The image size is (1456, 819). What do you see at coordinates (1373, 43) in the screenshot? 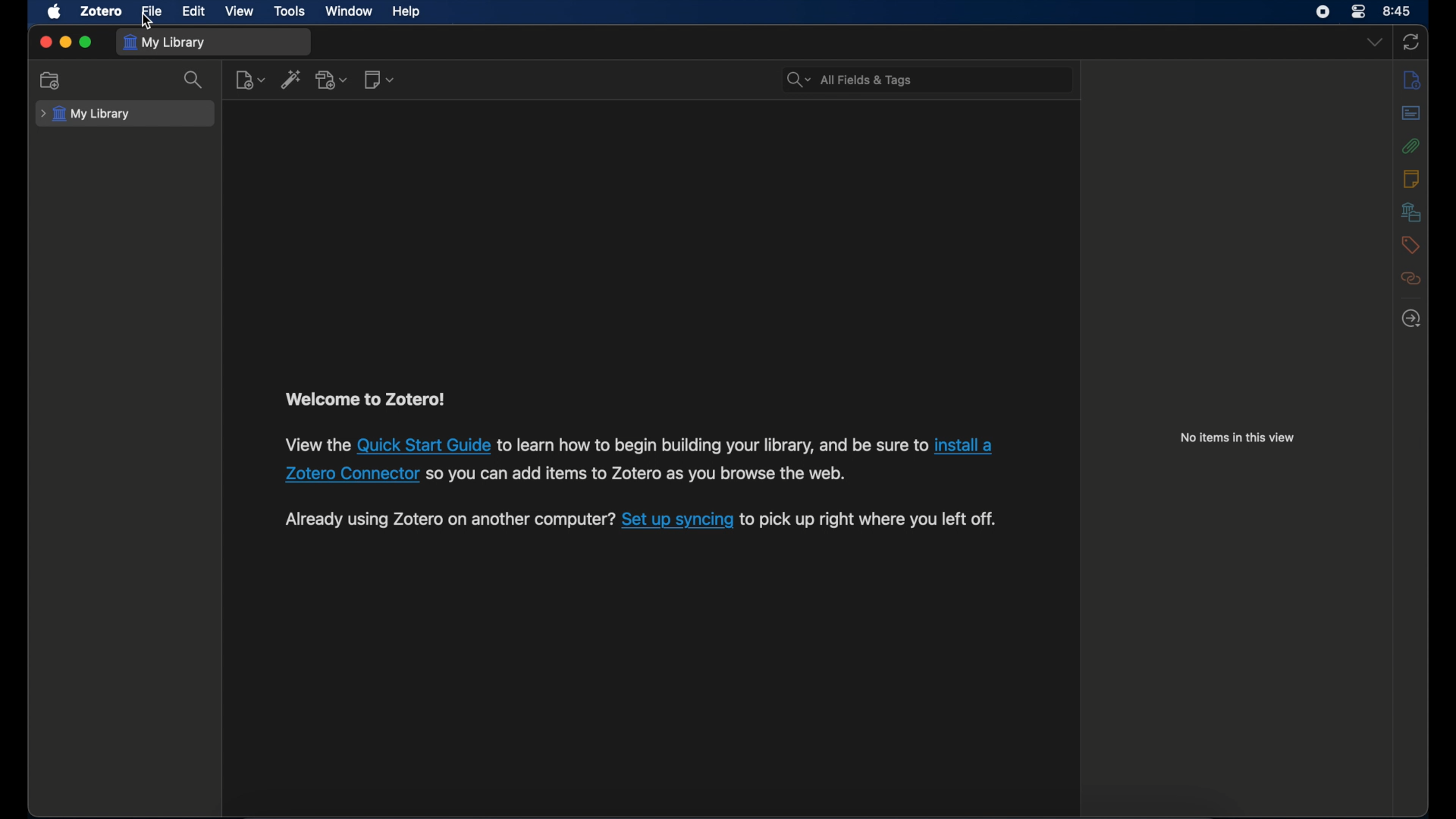
I see `dropdown` at bounding box center [1373, 43].